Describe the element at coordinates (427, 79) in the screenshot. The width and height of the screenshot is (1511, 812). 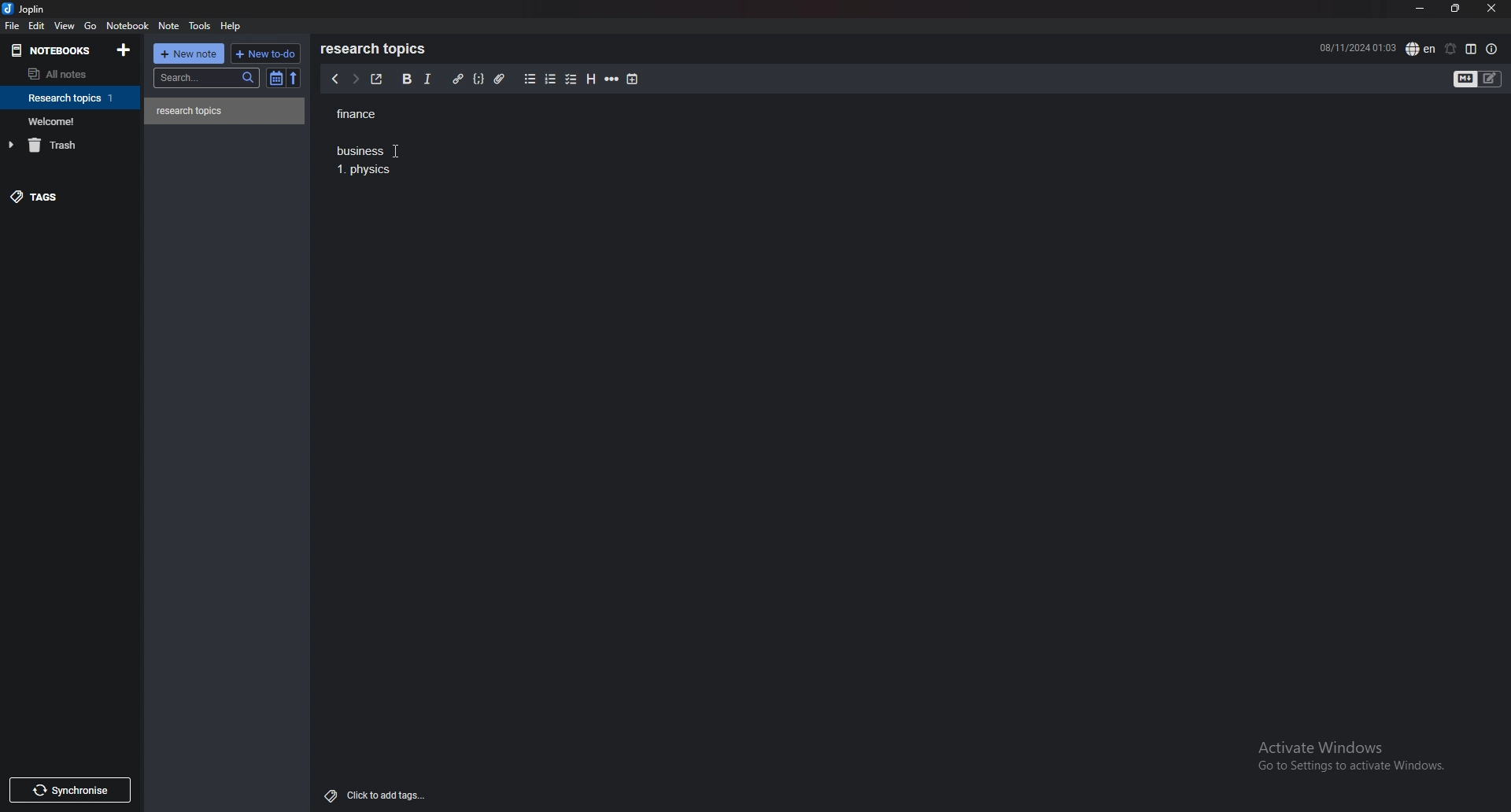
I see `italic` at that location.